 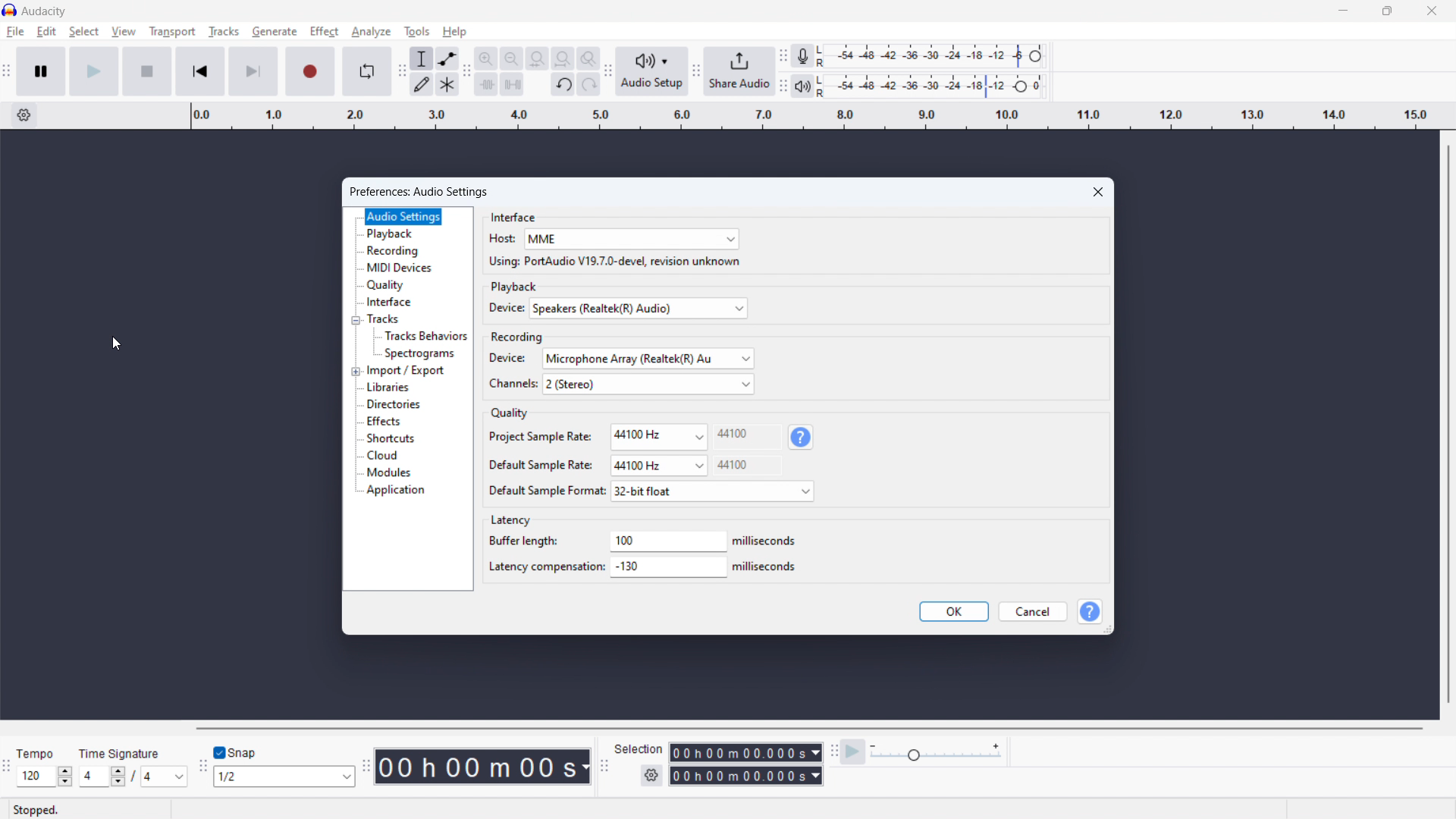 I want to click on set host, so click(x=632, y=239).